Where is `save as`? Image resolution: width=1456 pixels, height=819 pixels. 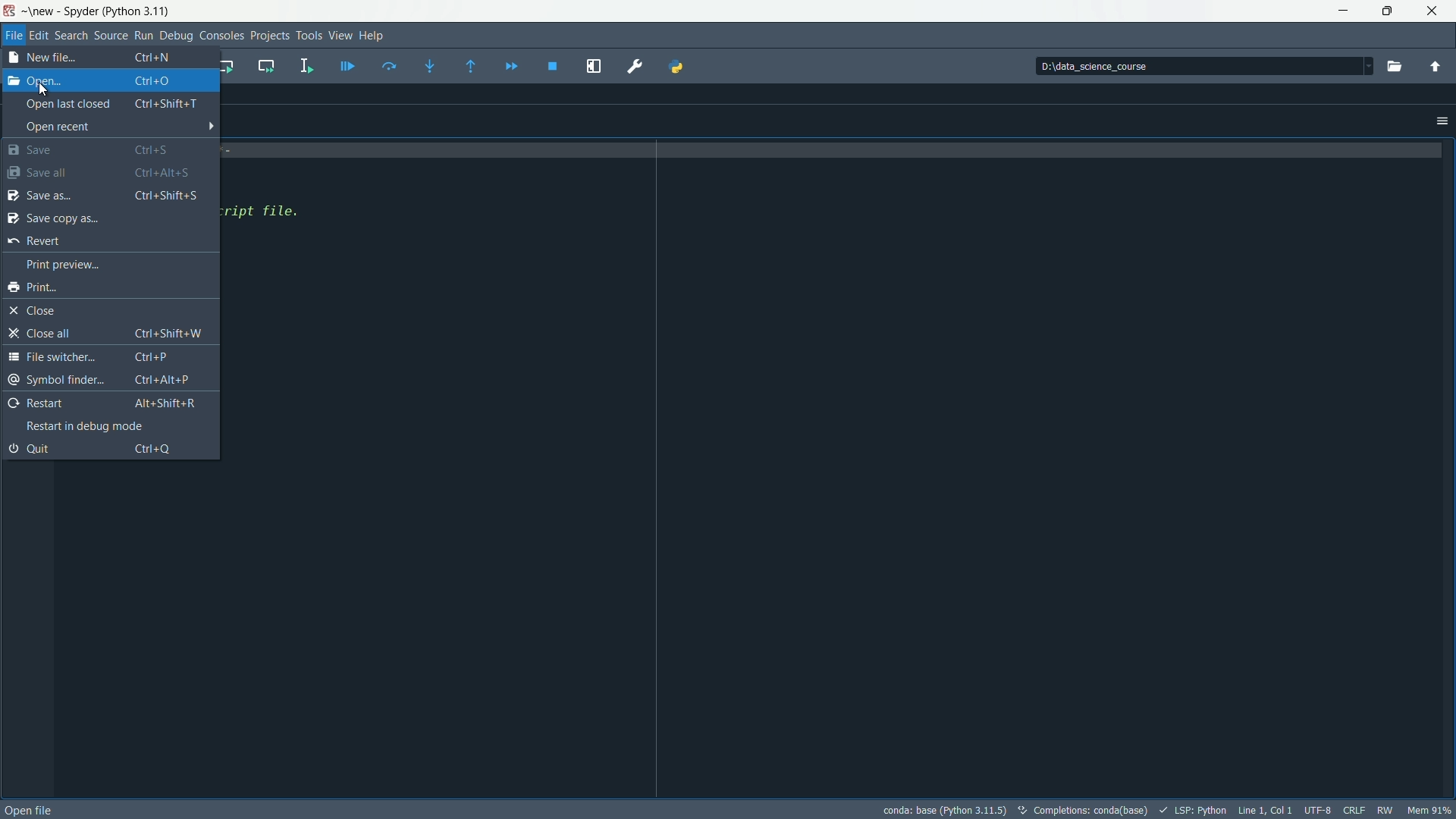 save as is located at coordinates (102, 193).